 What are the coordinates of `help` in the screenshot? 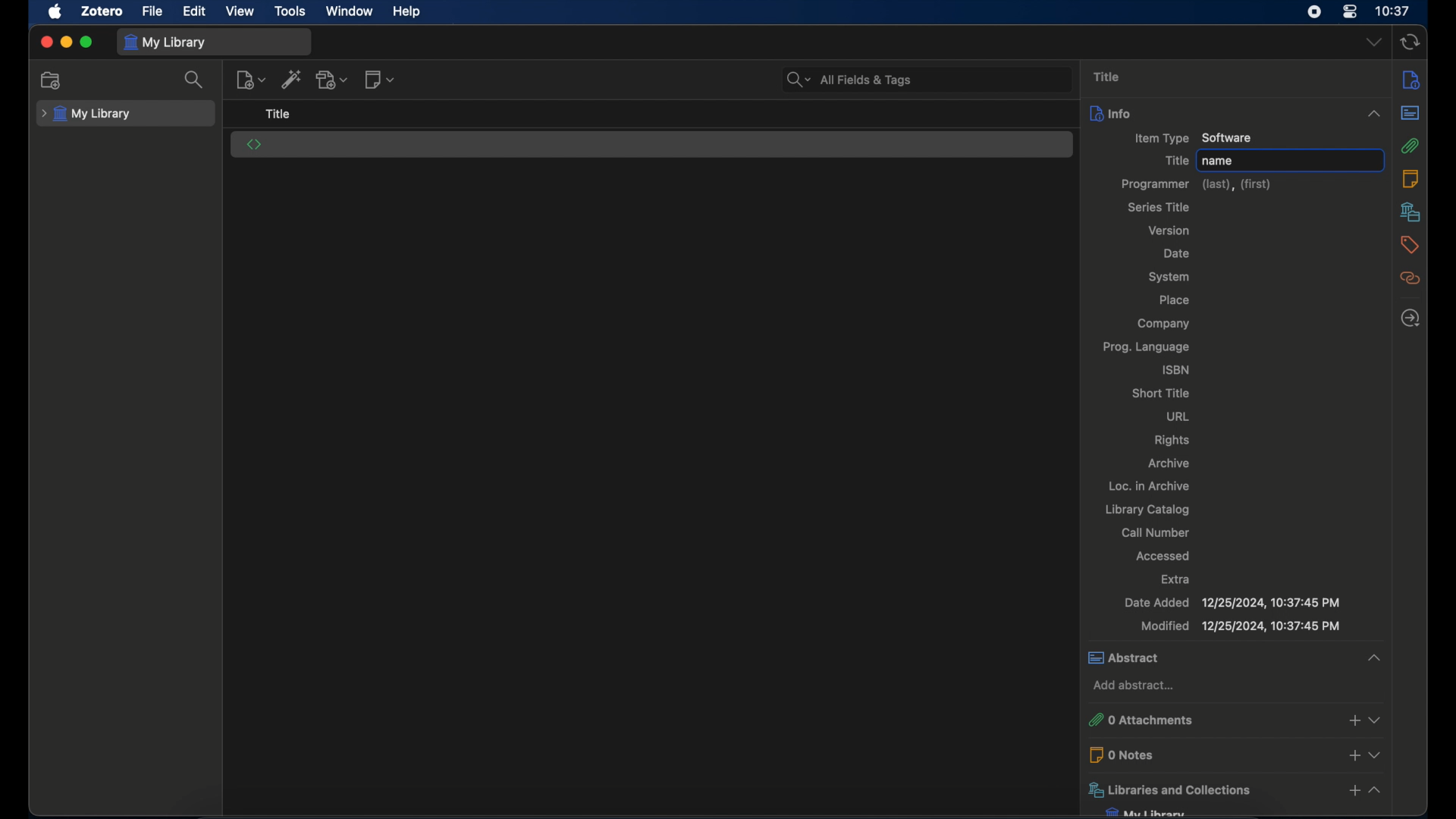 It's located at (406, 12).